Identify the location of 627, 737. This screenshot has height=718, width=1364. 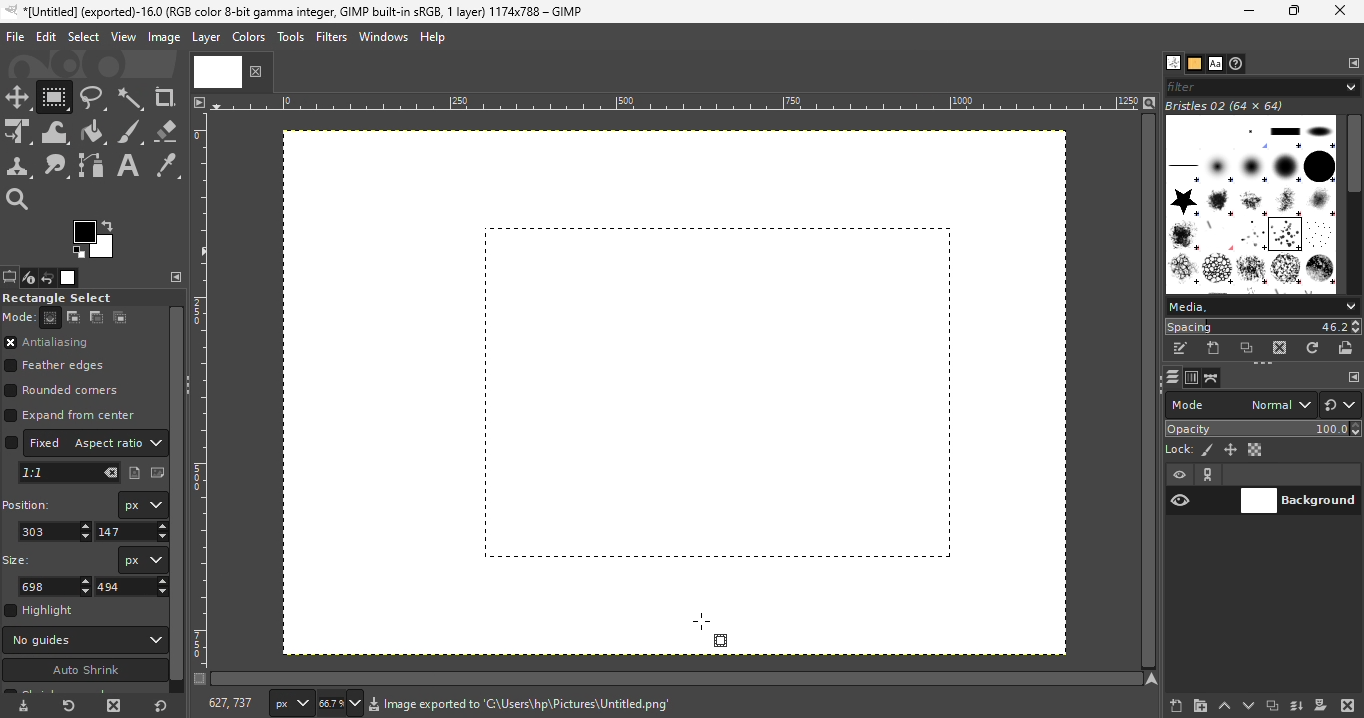
(231, 703).